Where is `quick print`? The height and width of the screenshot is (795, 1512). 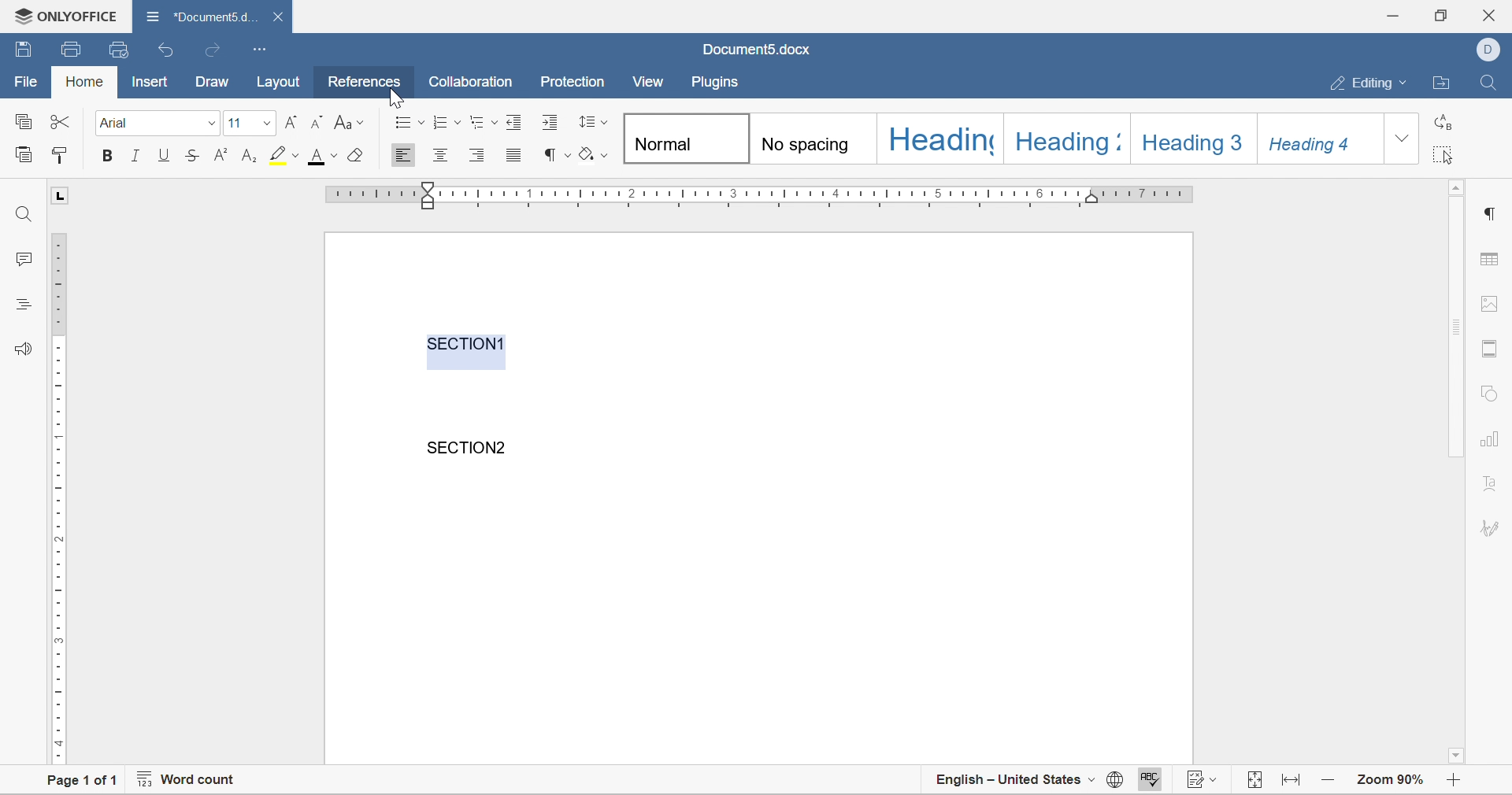
quick print is located at coordinates (120, 49).